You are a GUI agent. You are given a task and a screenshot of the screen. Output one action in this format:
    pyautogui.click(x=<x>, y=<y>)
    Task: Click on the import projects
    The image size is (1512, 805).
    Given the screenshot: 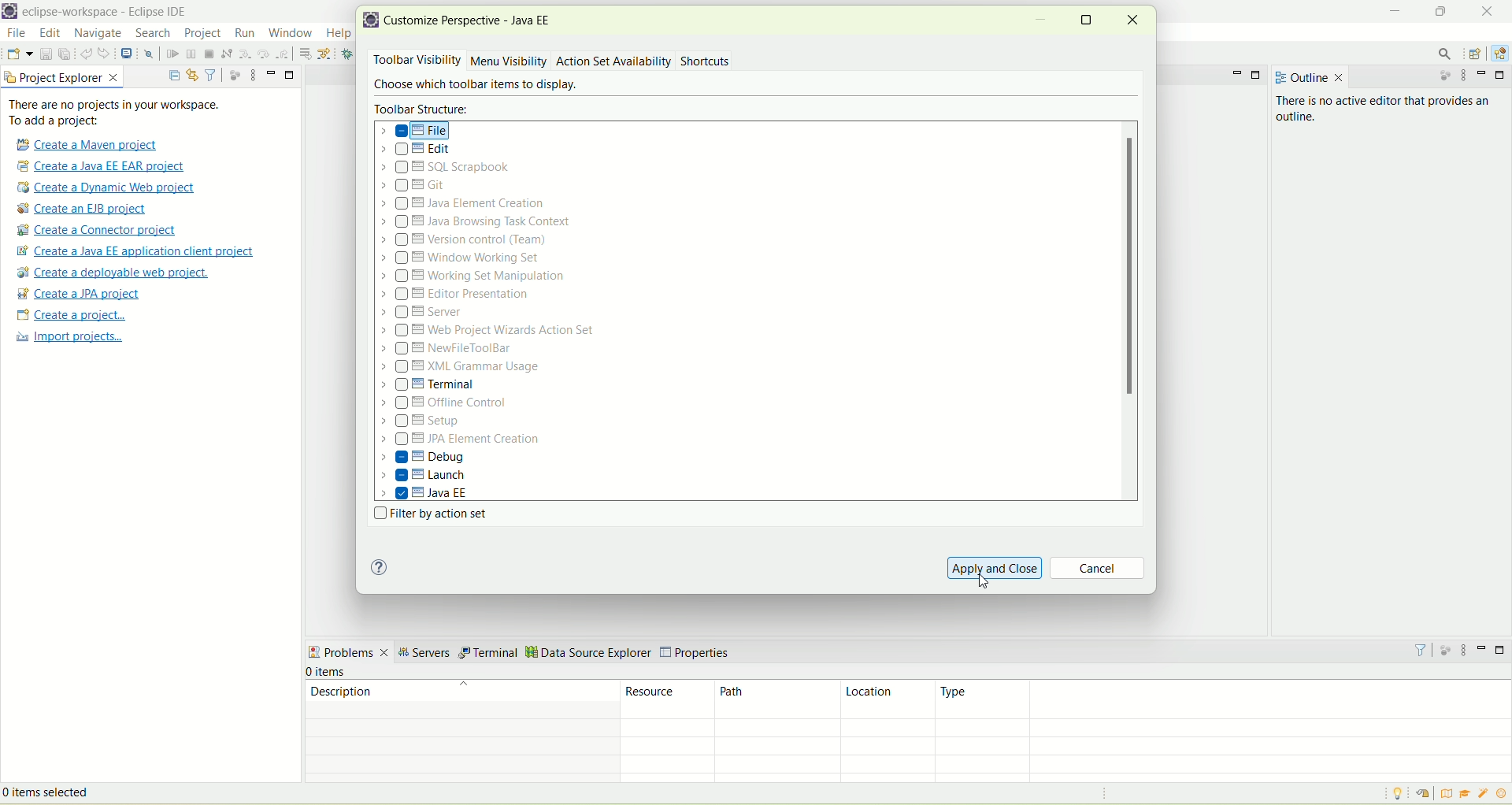 What is the action you would take?
    pyautogui.click(x=68, y=339)
    